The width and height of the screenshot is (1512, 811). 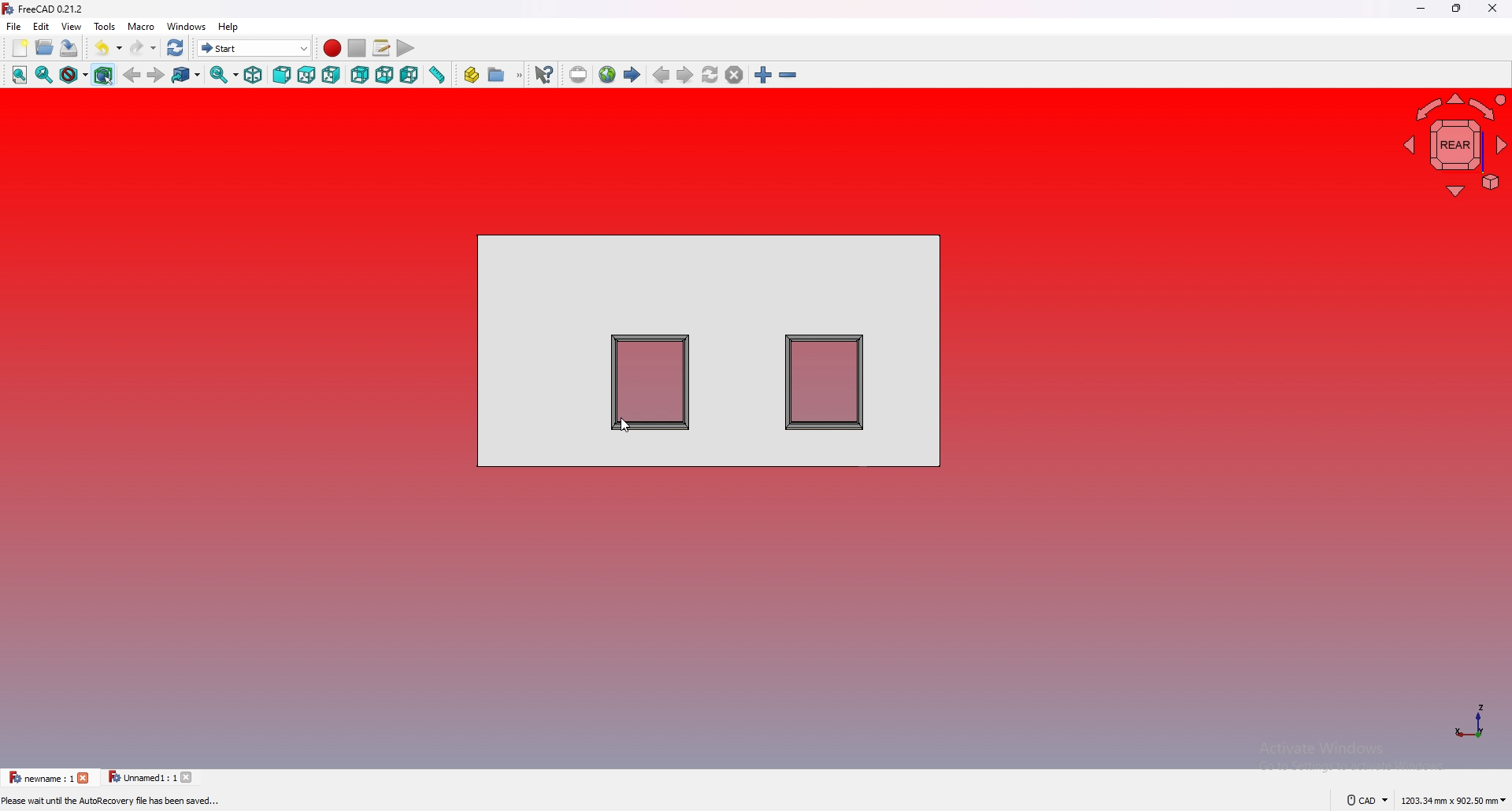 I want to click on switch between workbenches, so click(x=254, y=47).